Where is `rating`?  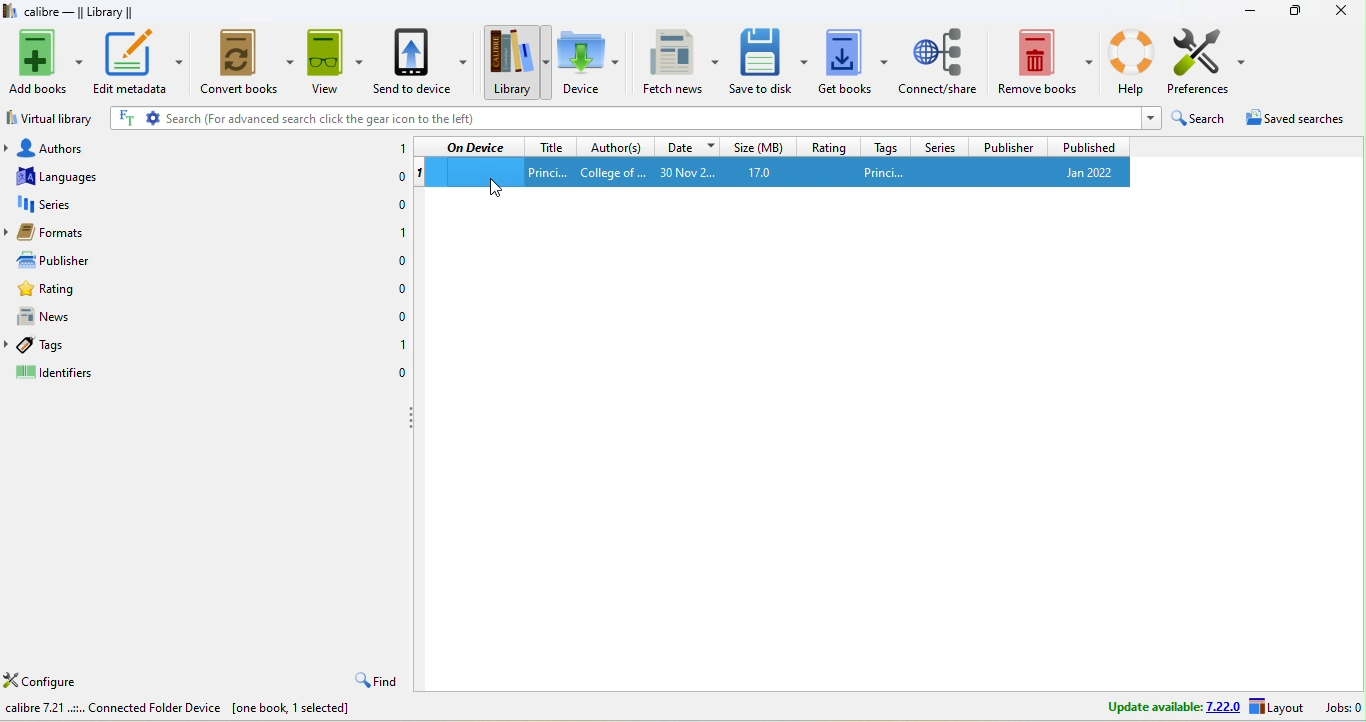 rating is located at coordinates (828, 146).